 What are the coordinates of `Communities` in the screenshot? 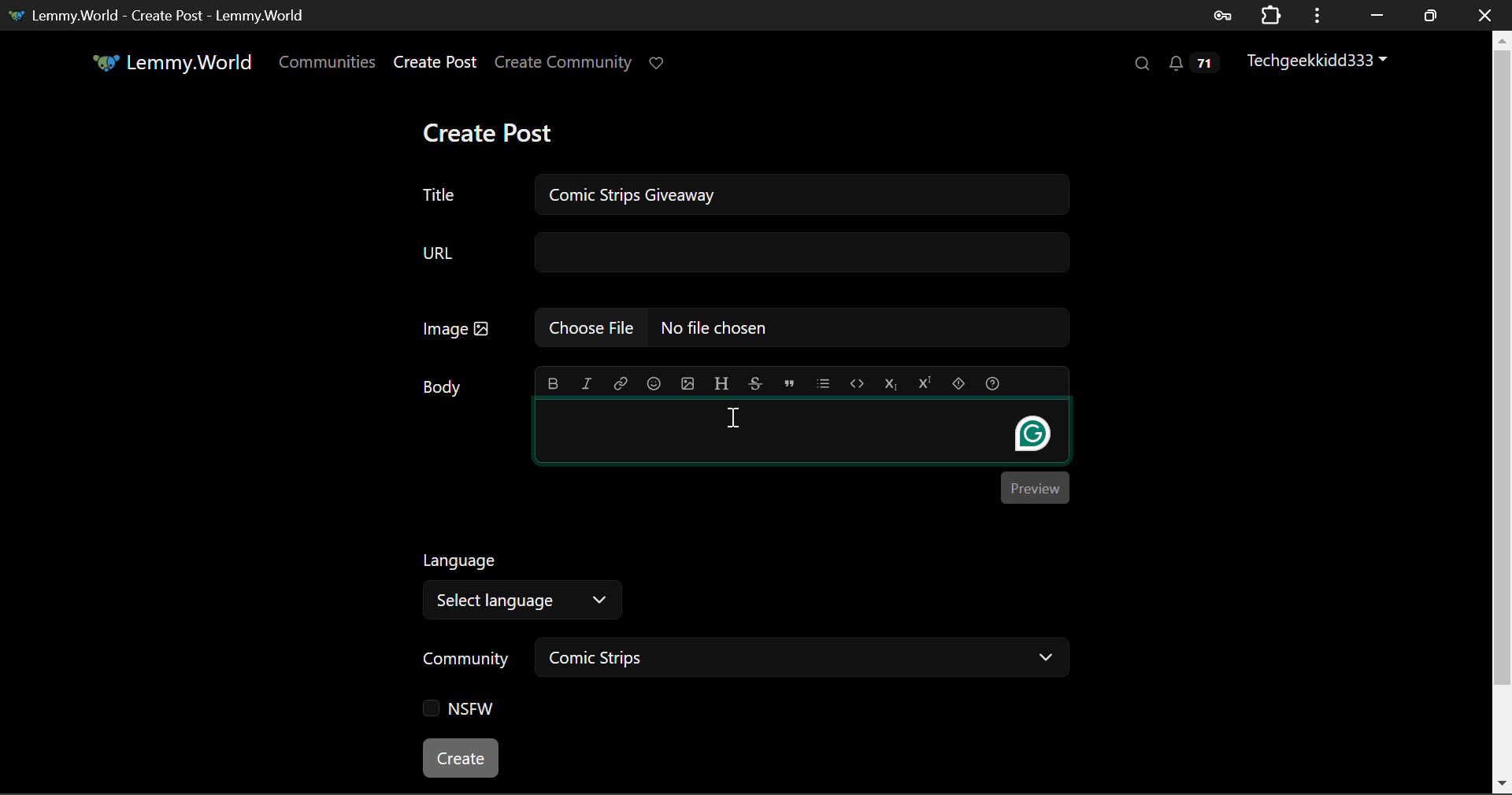 It's located at (329, 65).